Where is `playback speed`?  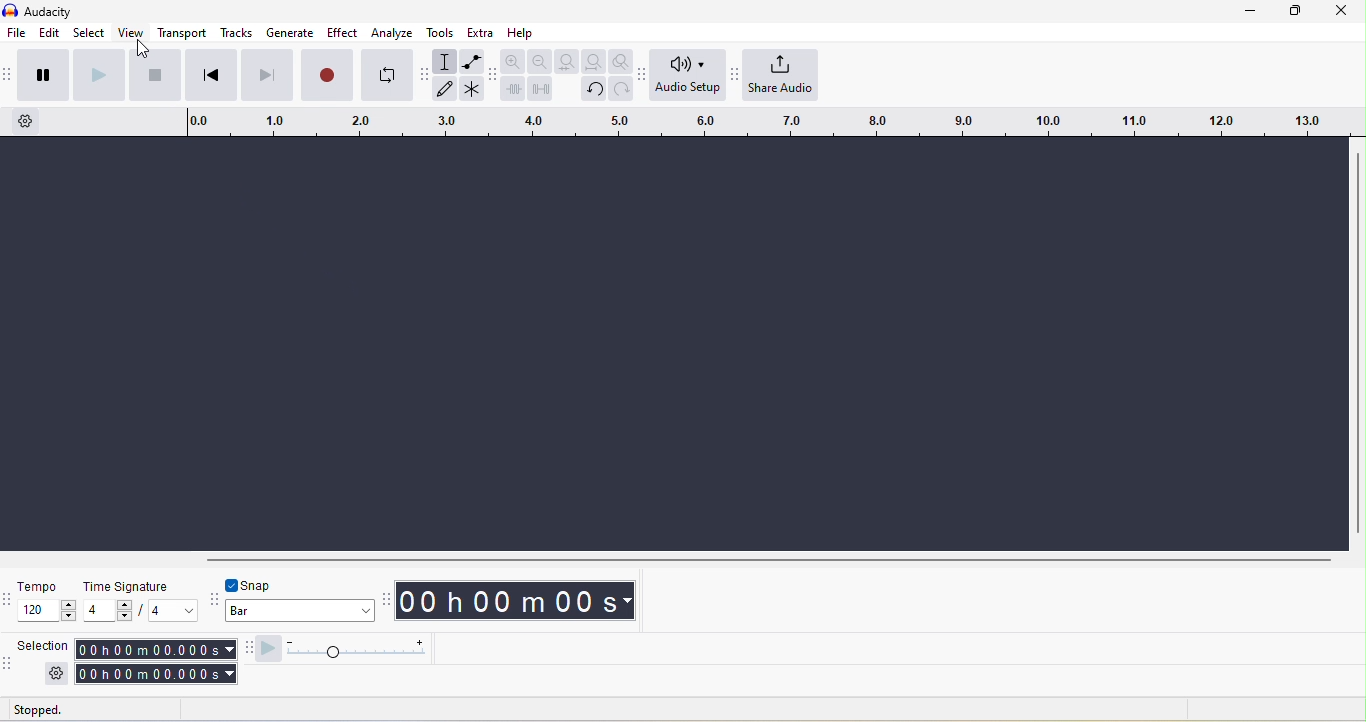 playback speed is located at coordinates (355, 650).